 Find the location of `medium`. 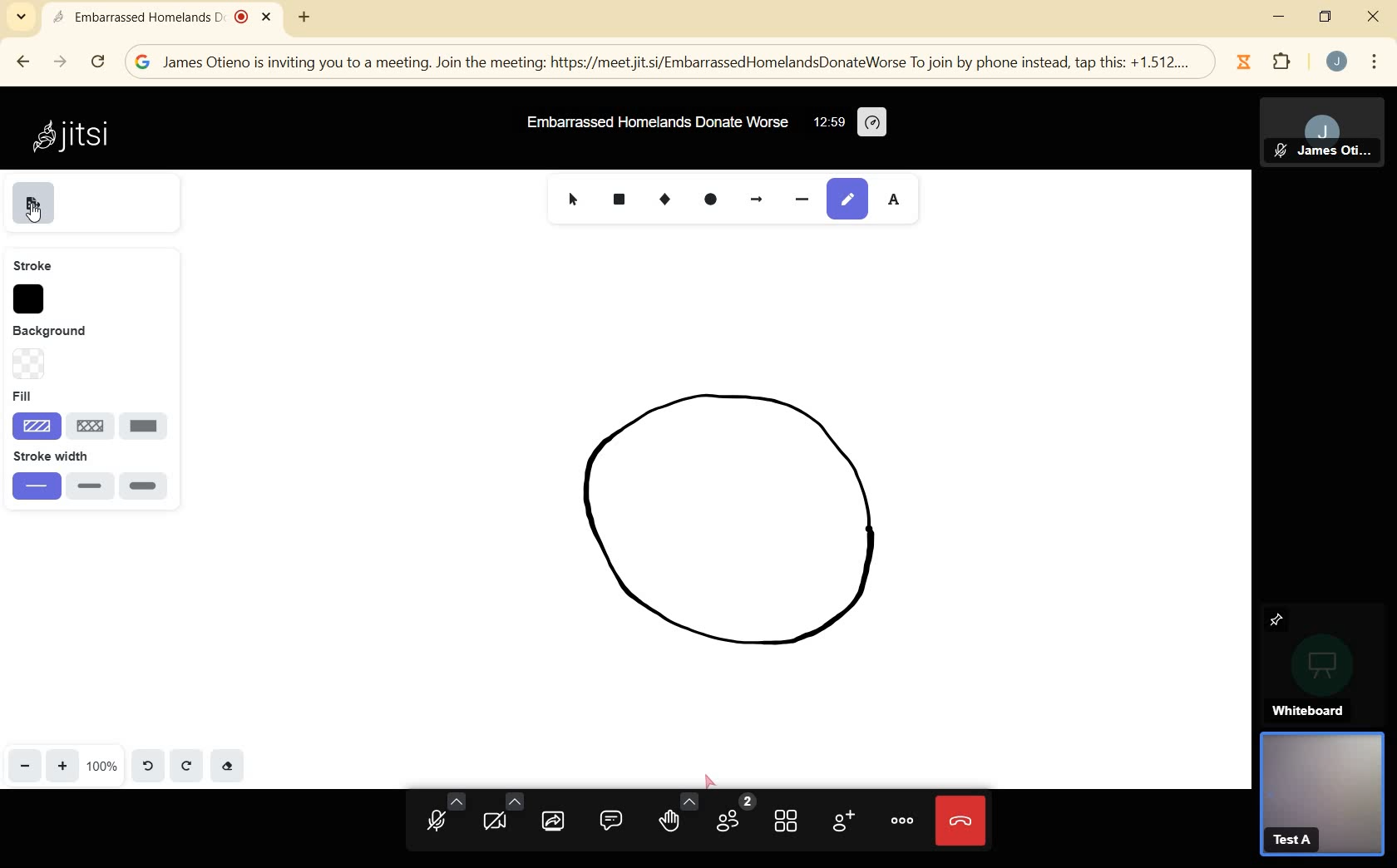

medium is located at coordinates (89, 489).